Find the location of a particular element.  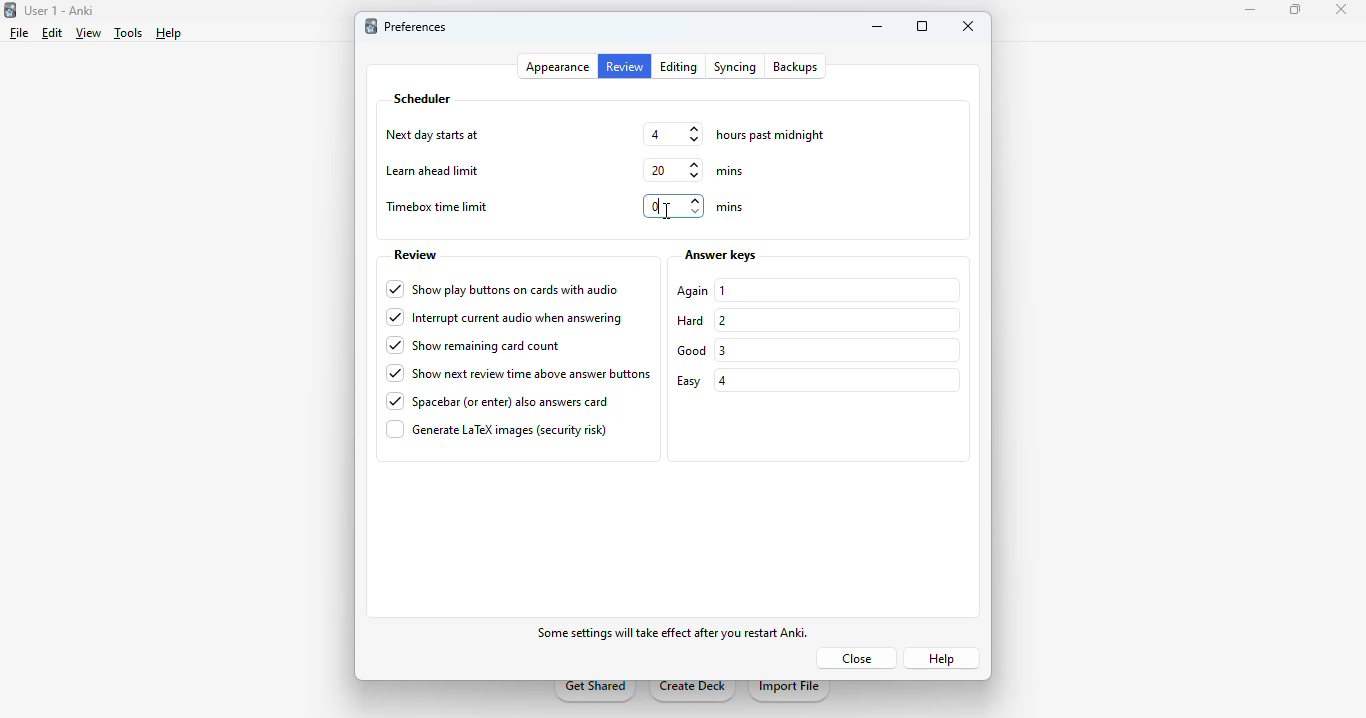

learn ahead limit is located at coordinates (432, 171).